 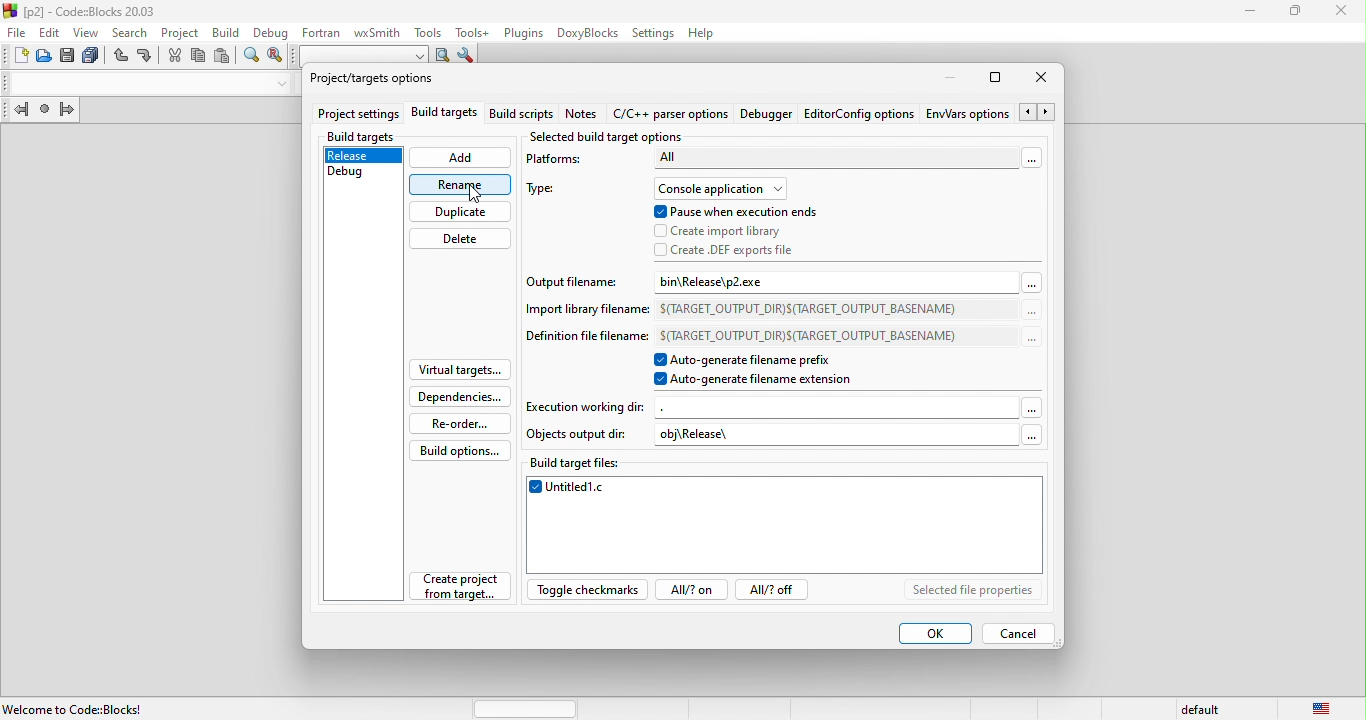 I want to click on env\ars option, so click(x=967, y=113).